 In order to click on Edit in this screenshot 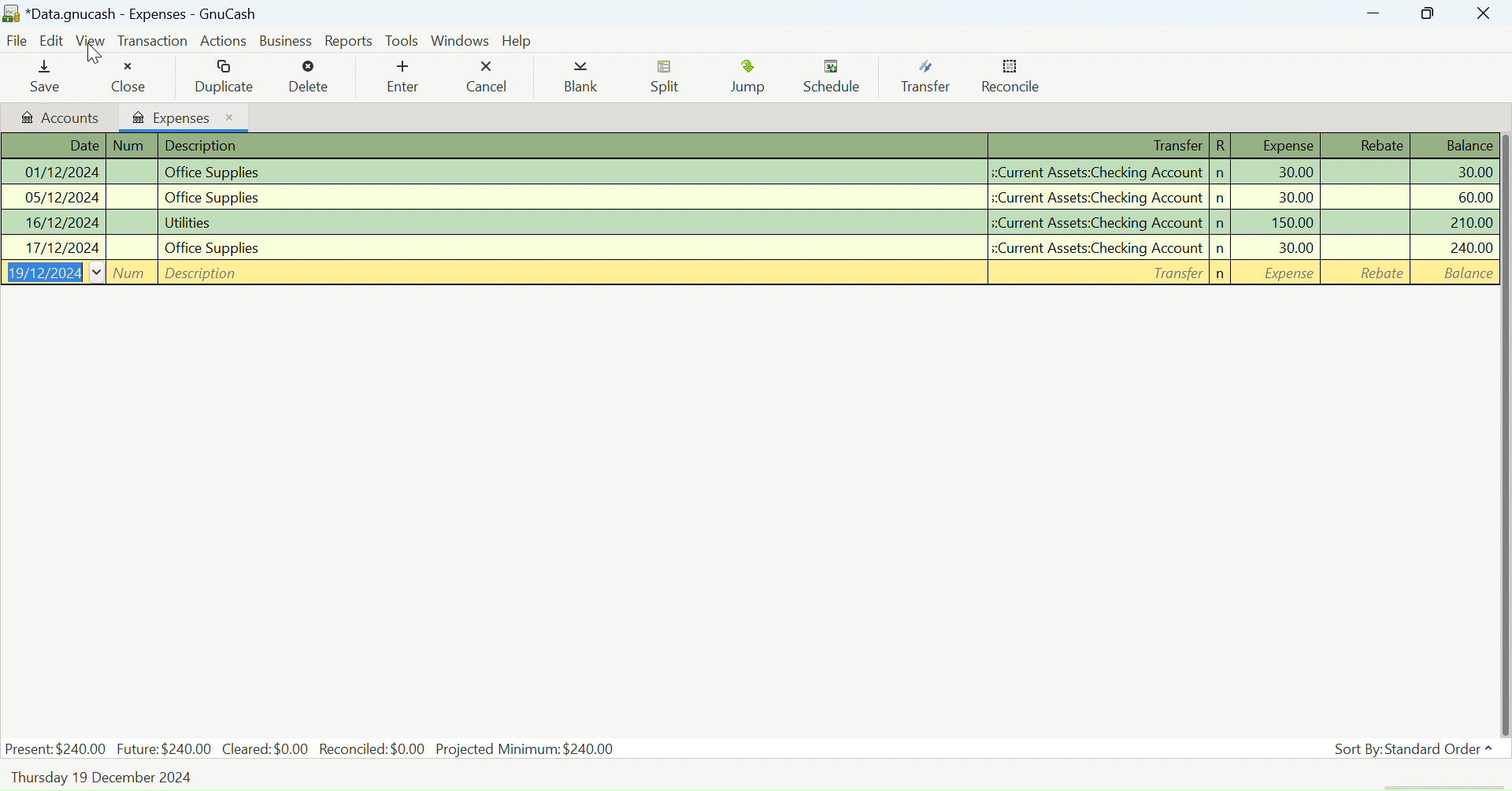, I will do `click(53, 42)`.